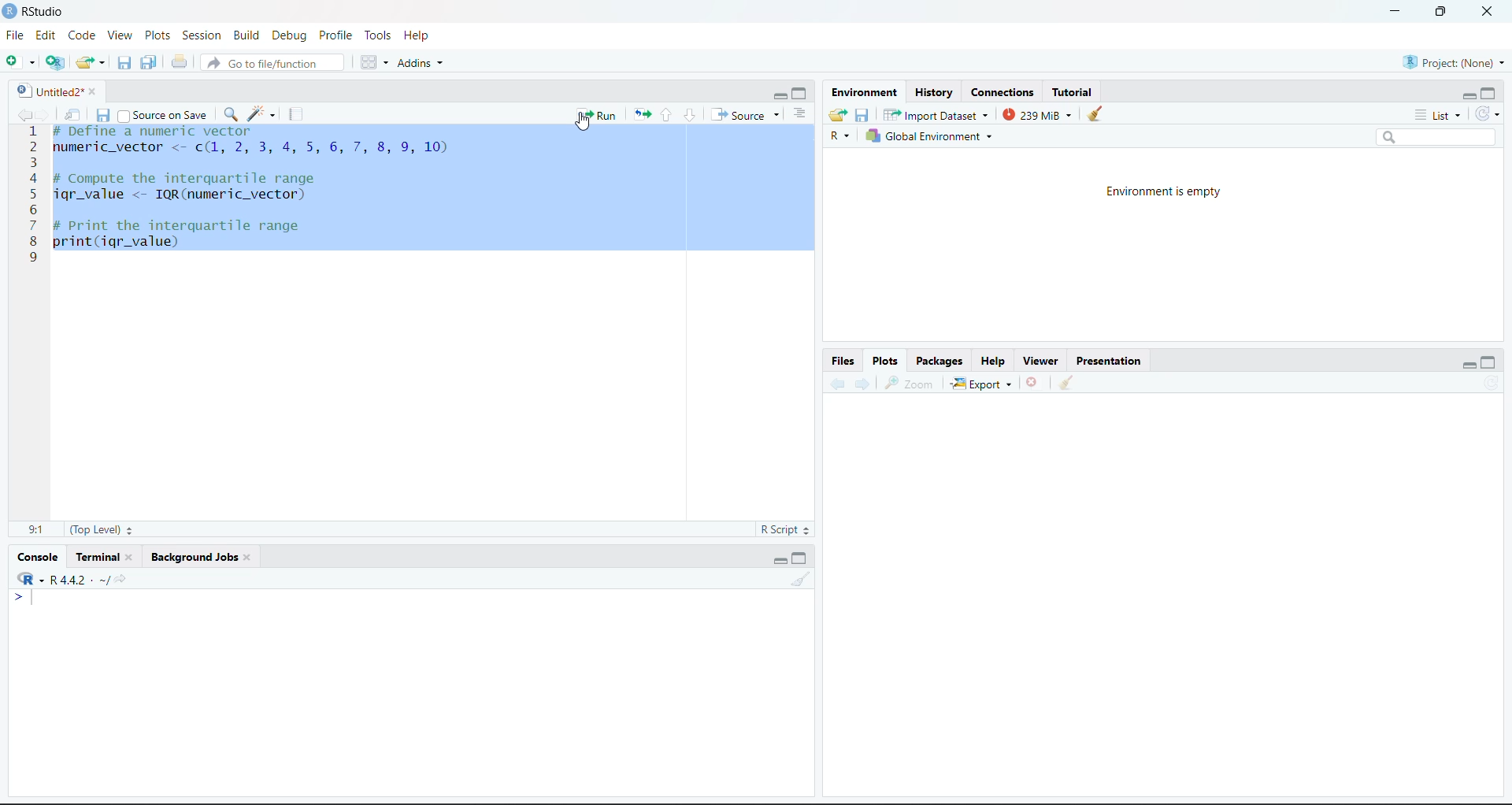  I want to click on Zoom, so click(914, 384).